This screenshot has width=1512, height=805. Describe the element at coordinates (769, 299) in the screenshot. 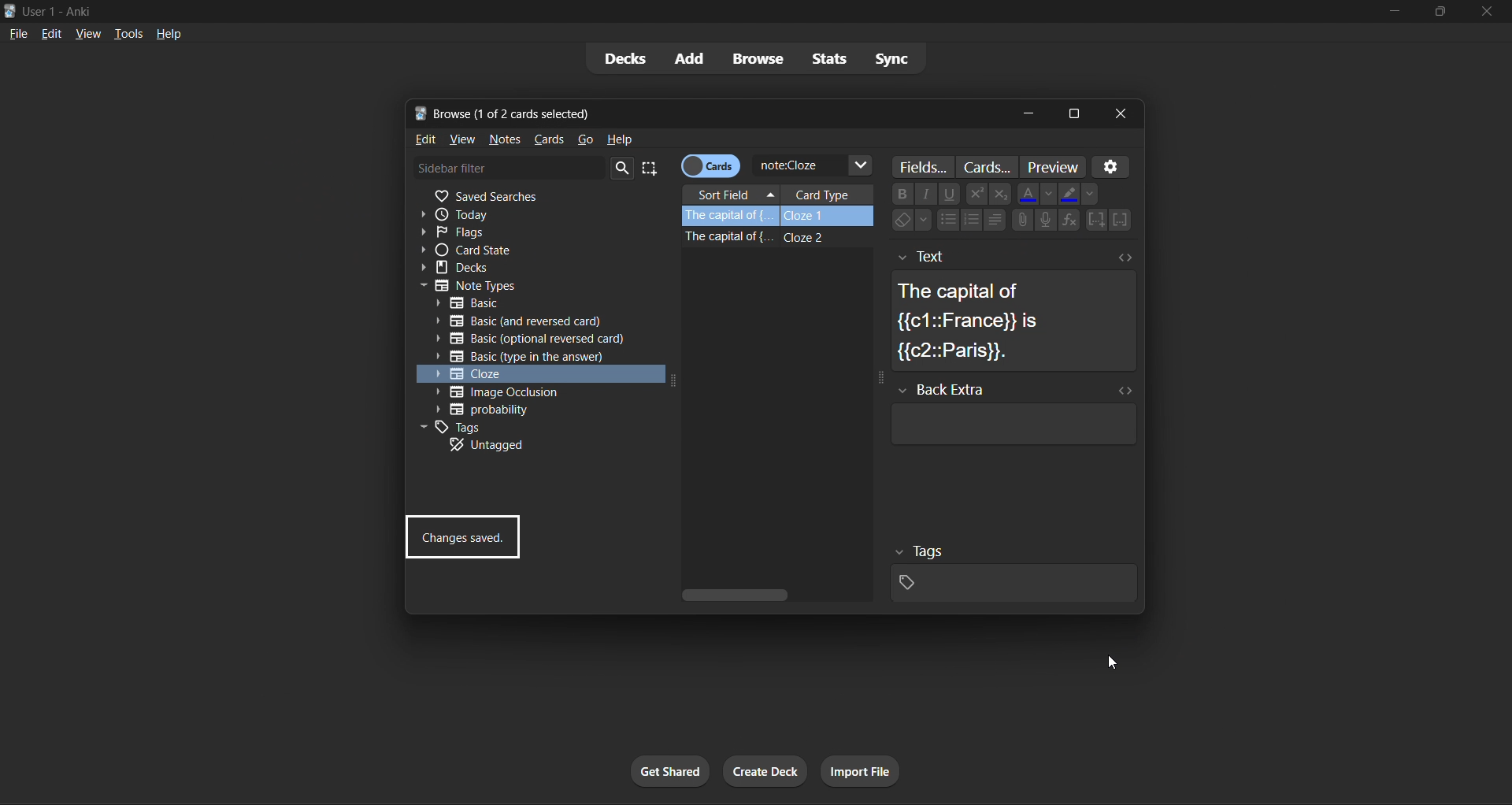

I see `cloze card date` at that location.